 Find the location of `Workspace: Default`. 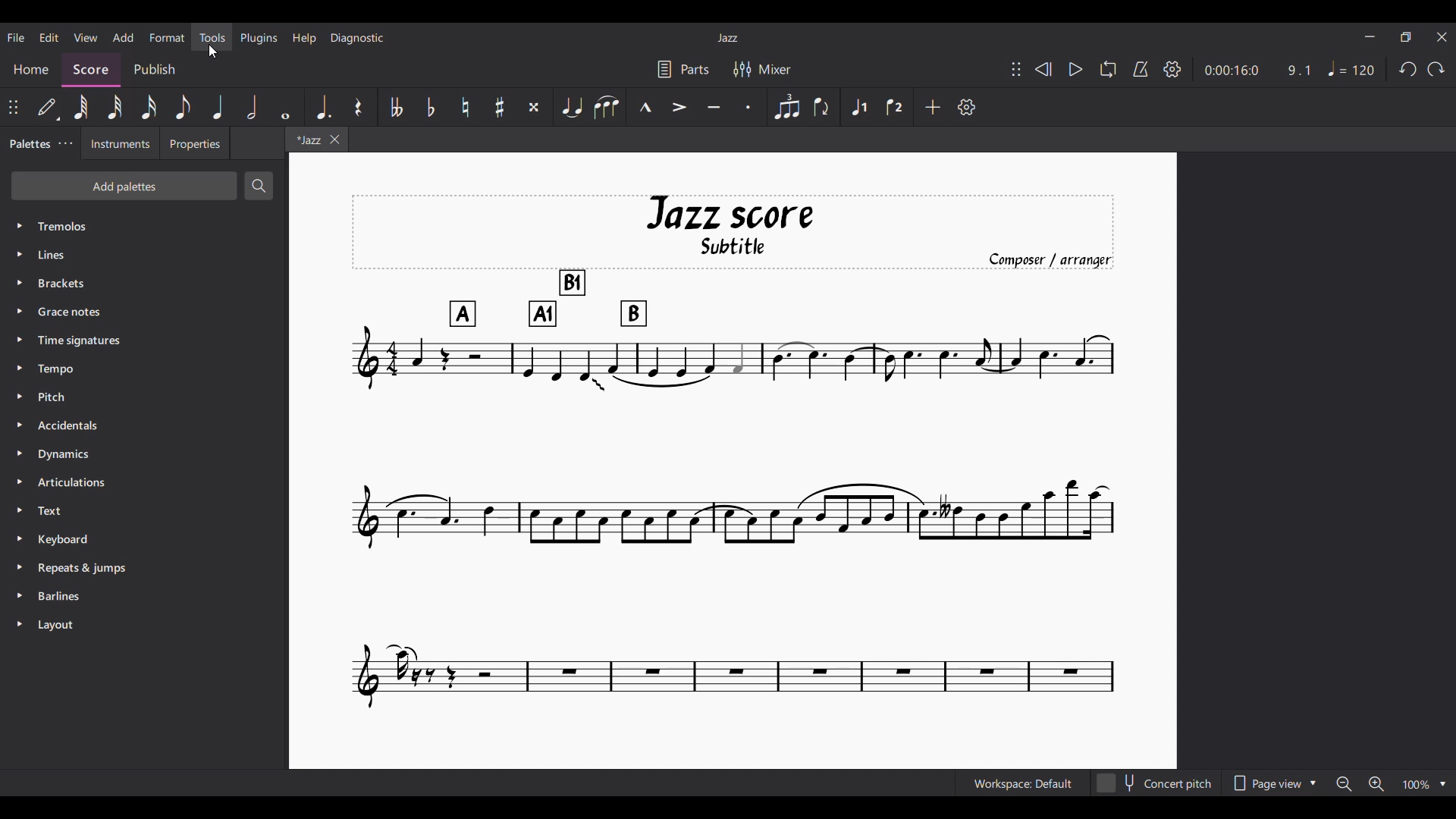

Workspace: Default is located at coordinates (1024, 783).